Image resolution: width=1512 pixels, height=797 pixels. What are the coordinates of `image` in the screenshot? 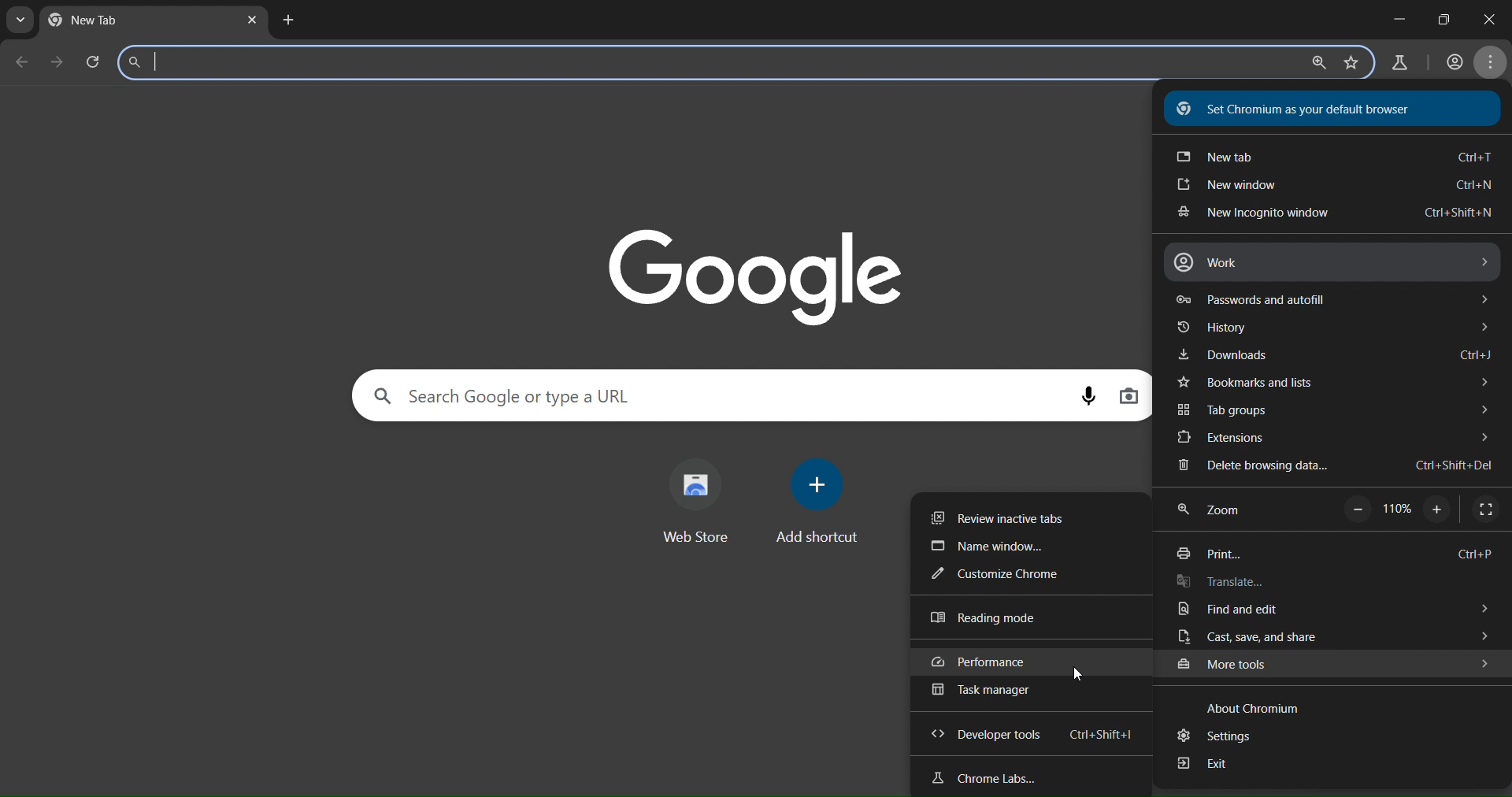 It's located at (759, 274).